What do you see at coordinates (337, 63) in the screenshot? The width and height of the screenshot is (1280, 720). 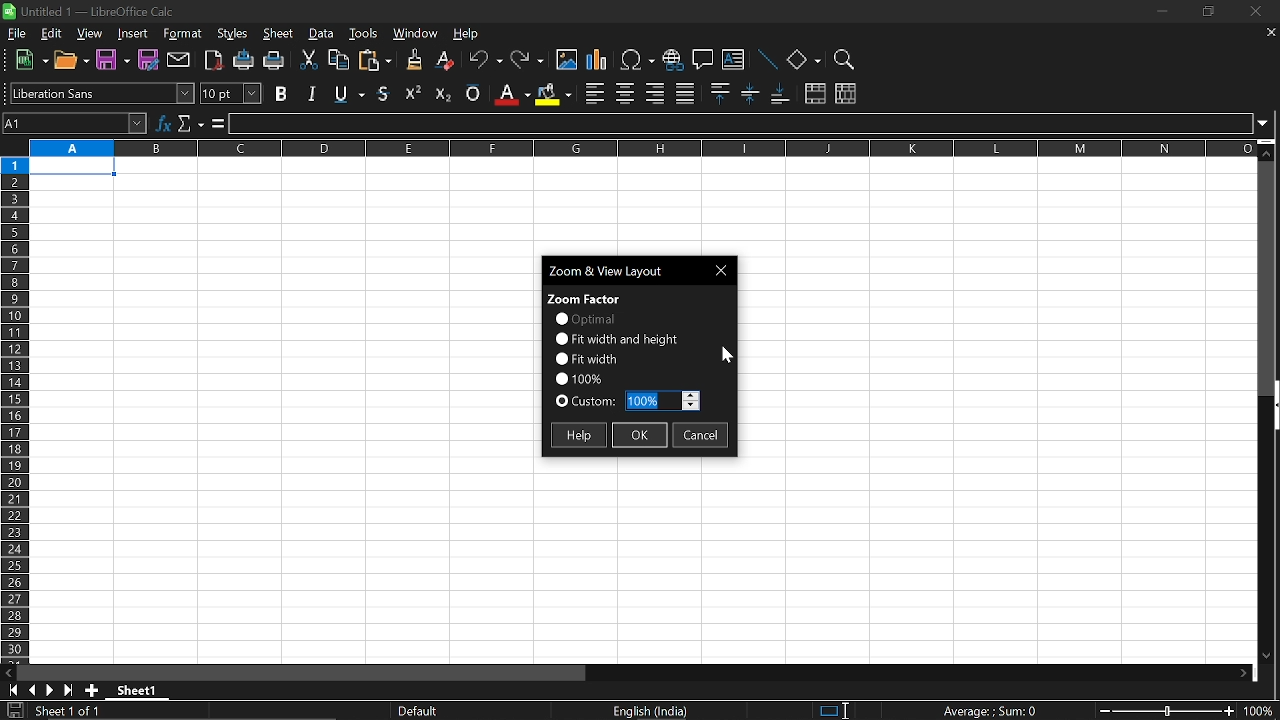 I see `copy` at bounding box center [337, 63].